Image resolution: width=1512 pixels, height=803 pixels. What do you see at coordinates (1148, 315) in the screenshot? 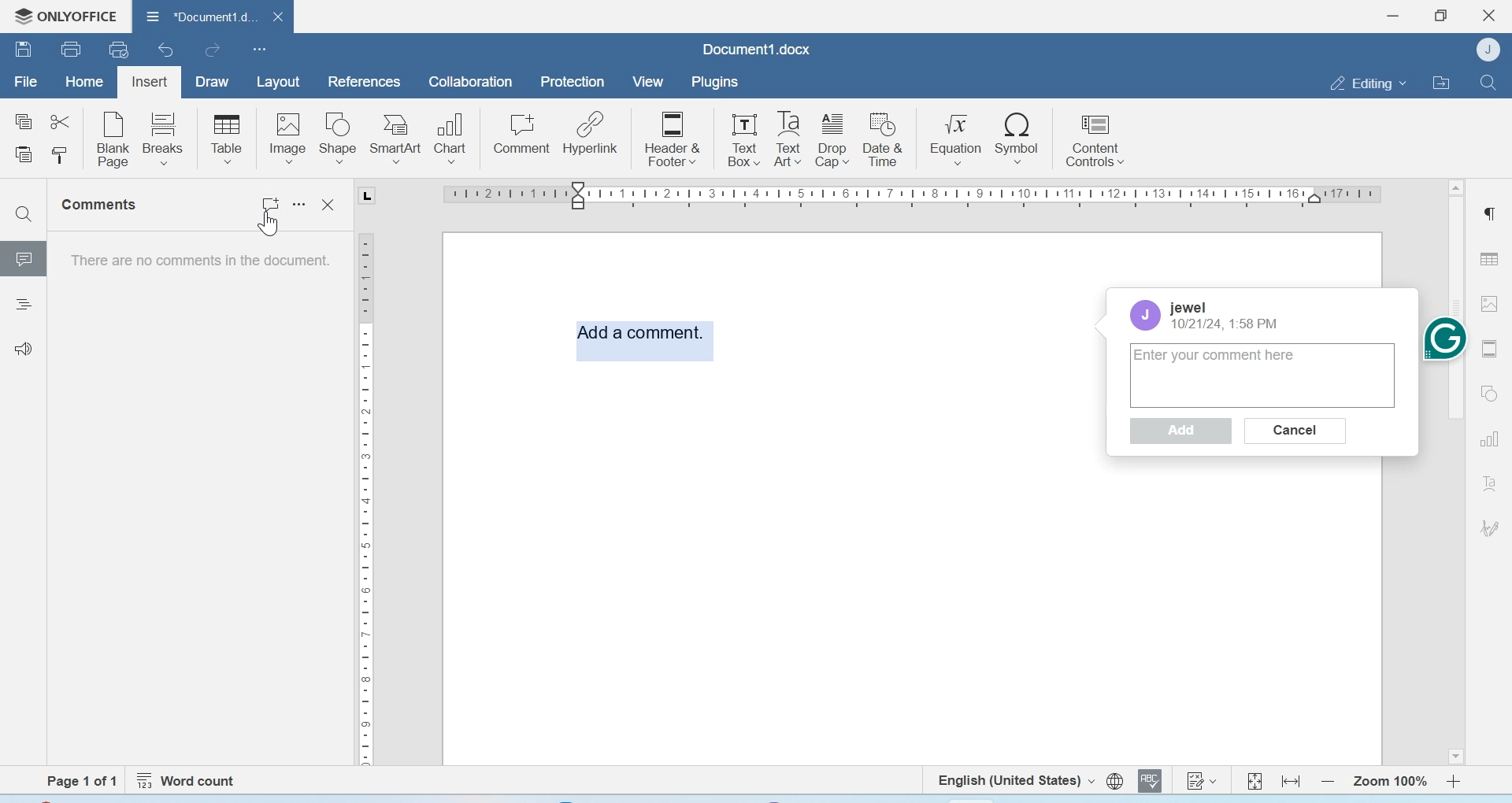
I see `Account` at bounding box center [1148, 315].